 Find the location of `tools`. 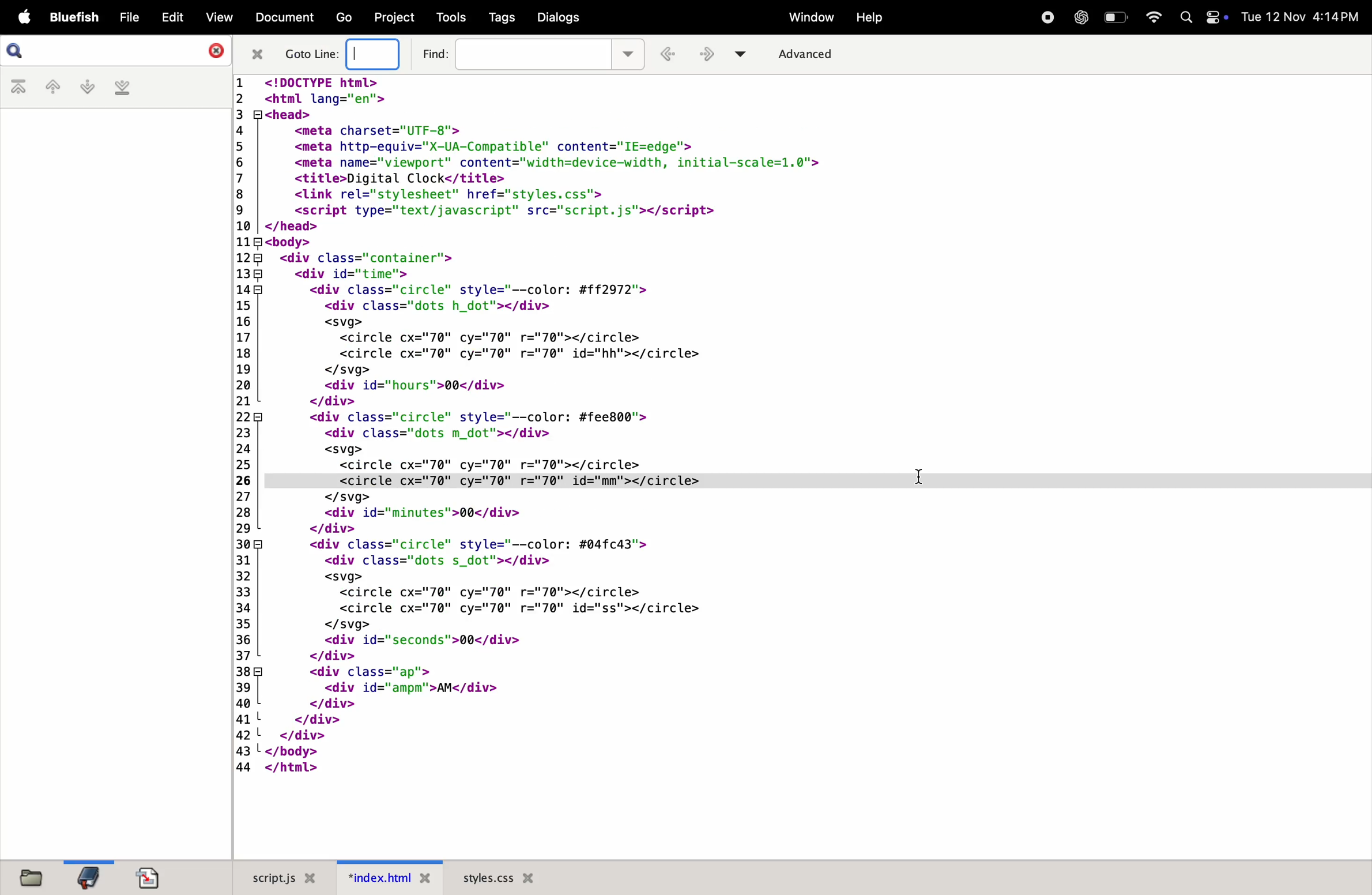

tools is located at coordinates (450, 17).